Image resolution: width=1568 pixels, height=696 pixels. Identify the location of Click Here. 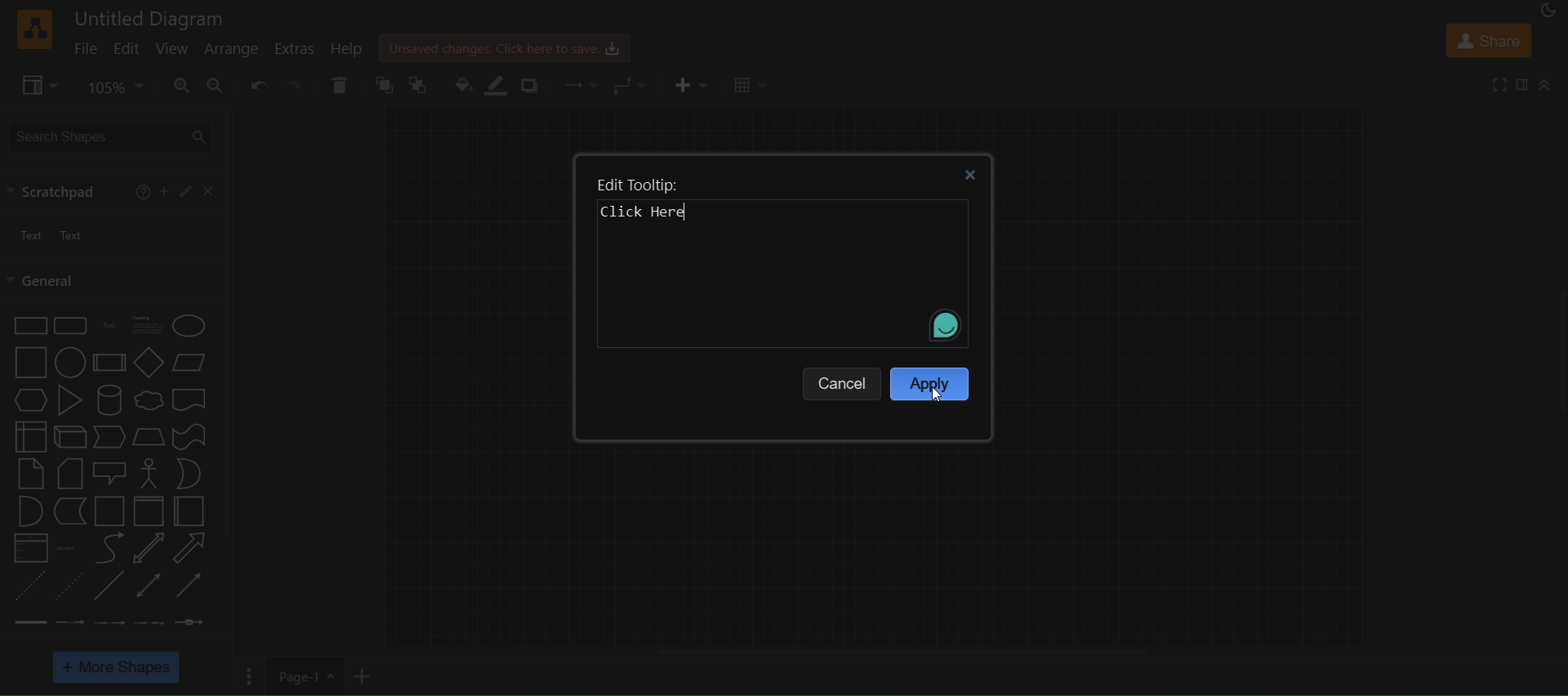
(648, 211).